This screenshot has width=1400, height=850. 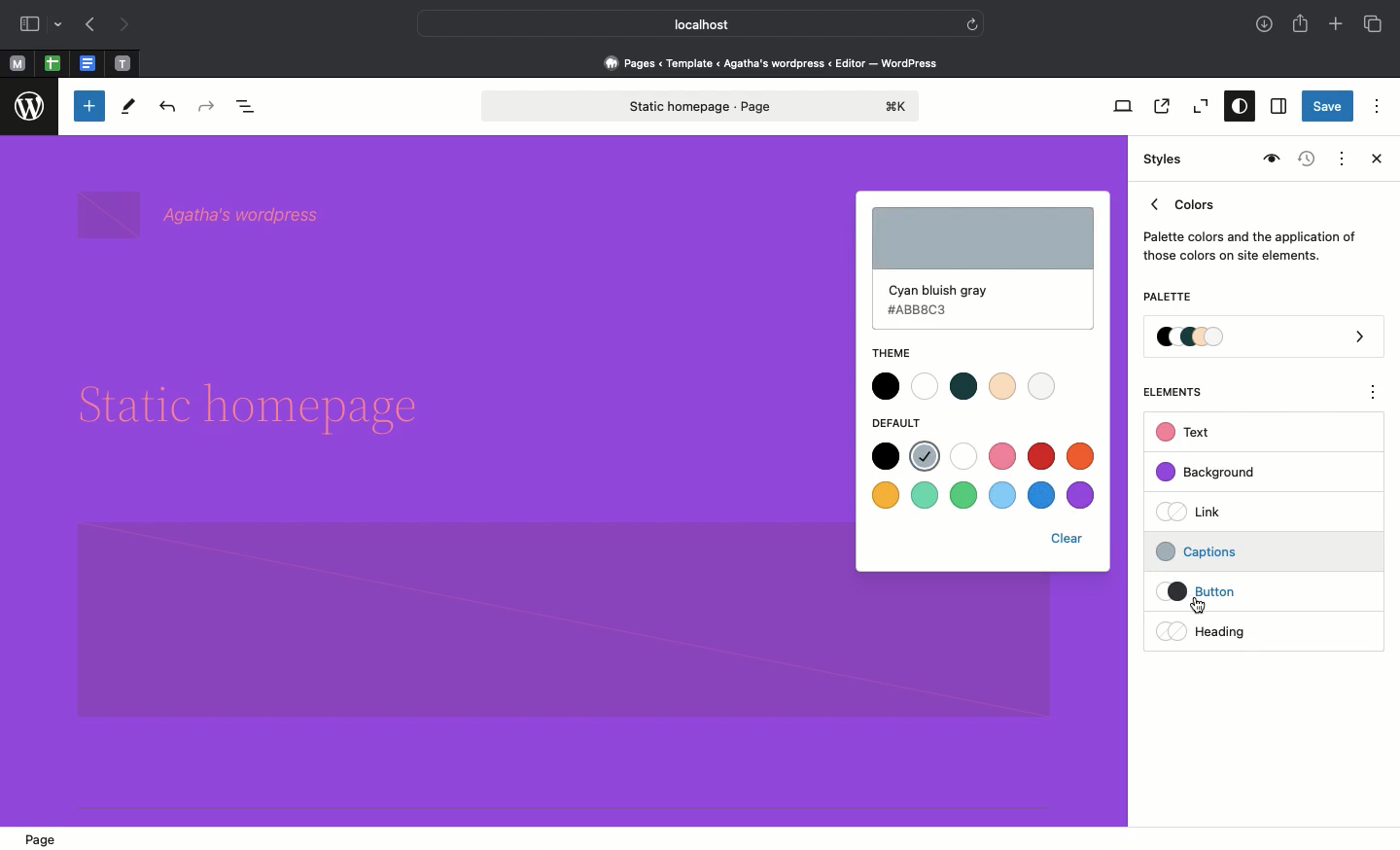 I want to click on Colors, so click(x=1250, y=226).